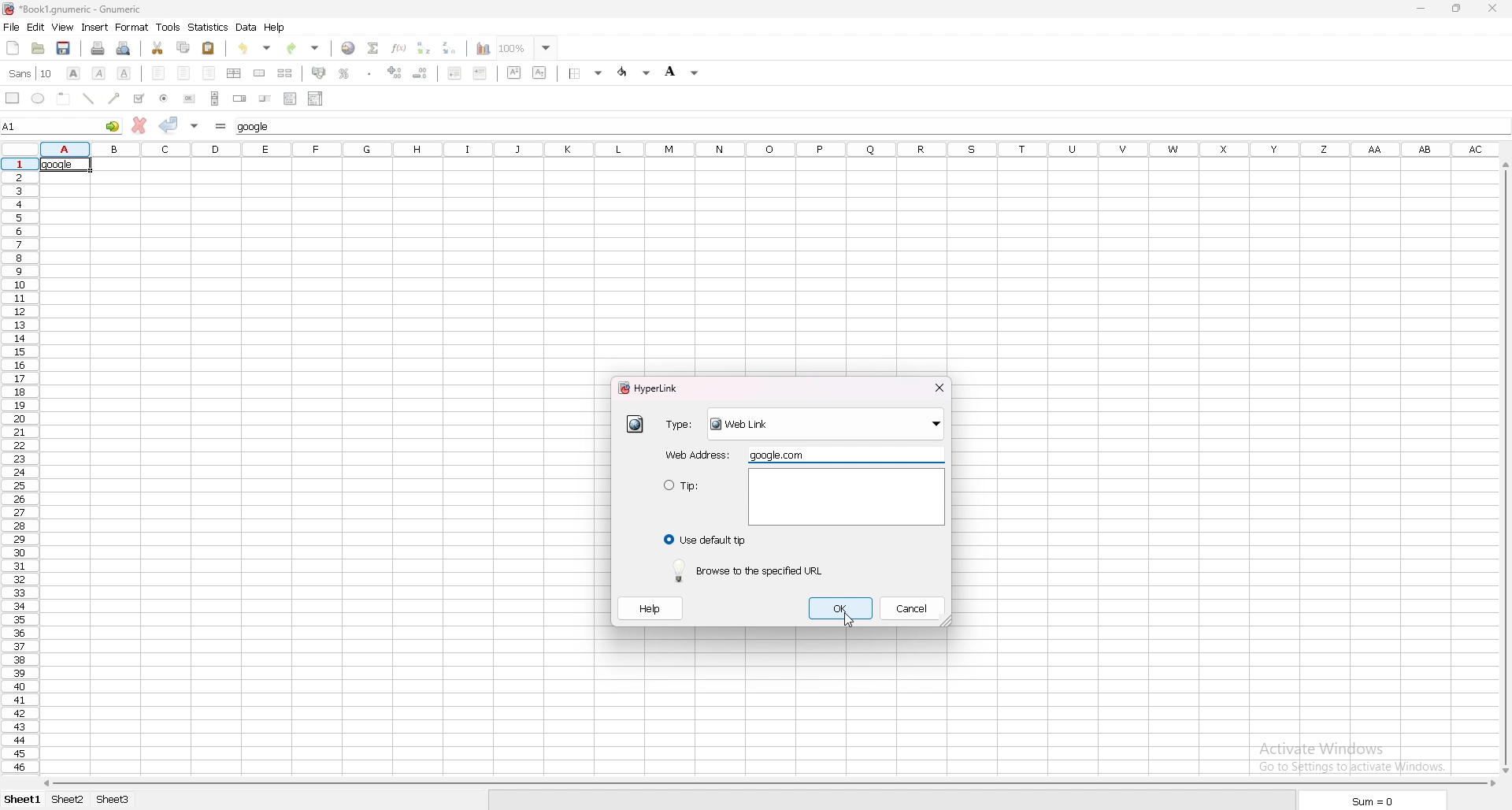 The width and height of the screenshot is (1512, 810). I want to click on data, so click(246, 27).